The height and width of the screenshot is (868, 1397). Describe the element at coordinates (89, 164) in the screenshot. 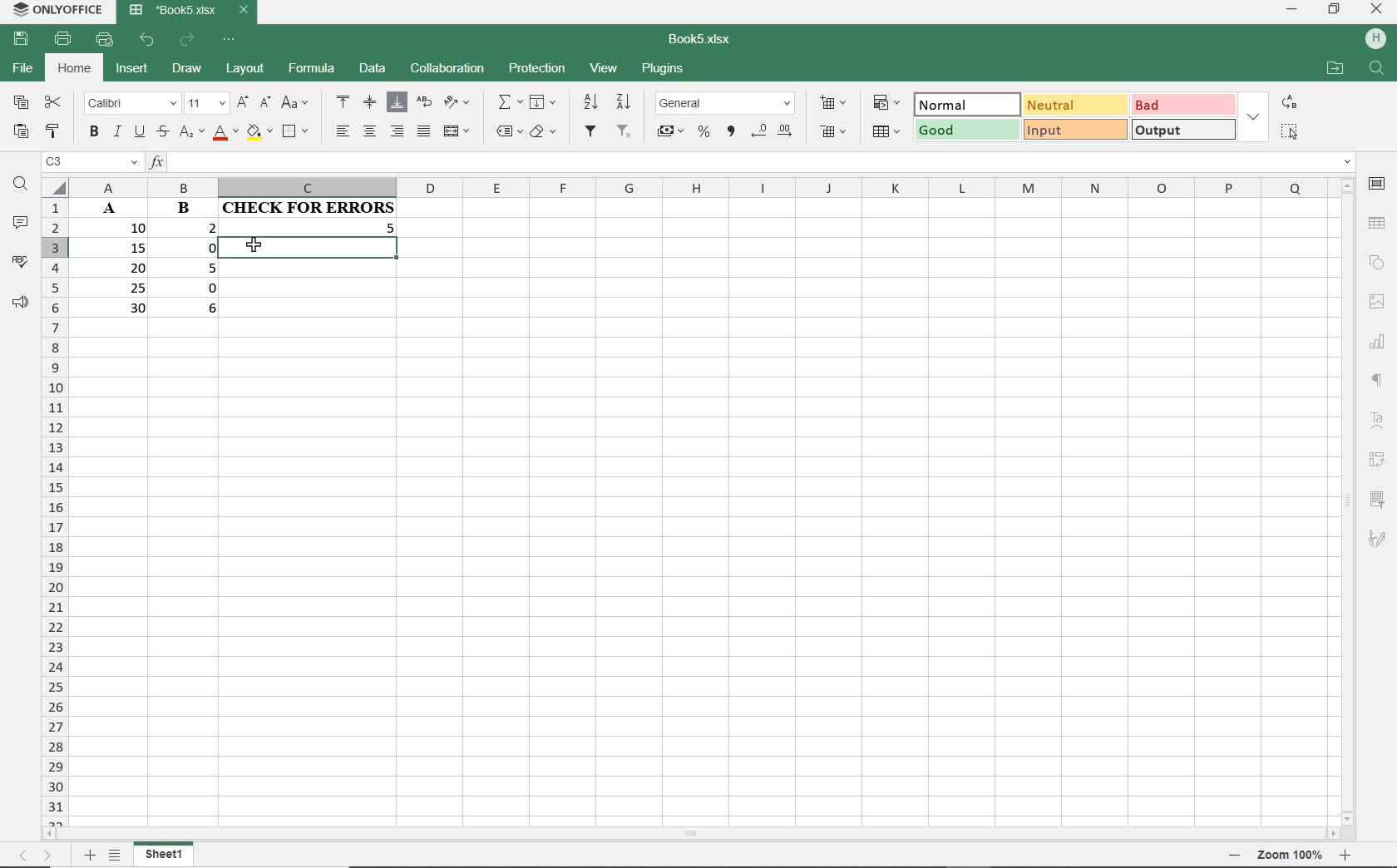

I see `NAME MANAGER` at that location.